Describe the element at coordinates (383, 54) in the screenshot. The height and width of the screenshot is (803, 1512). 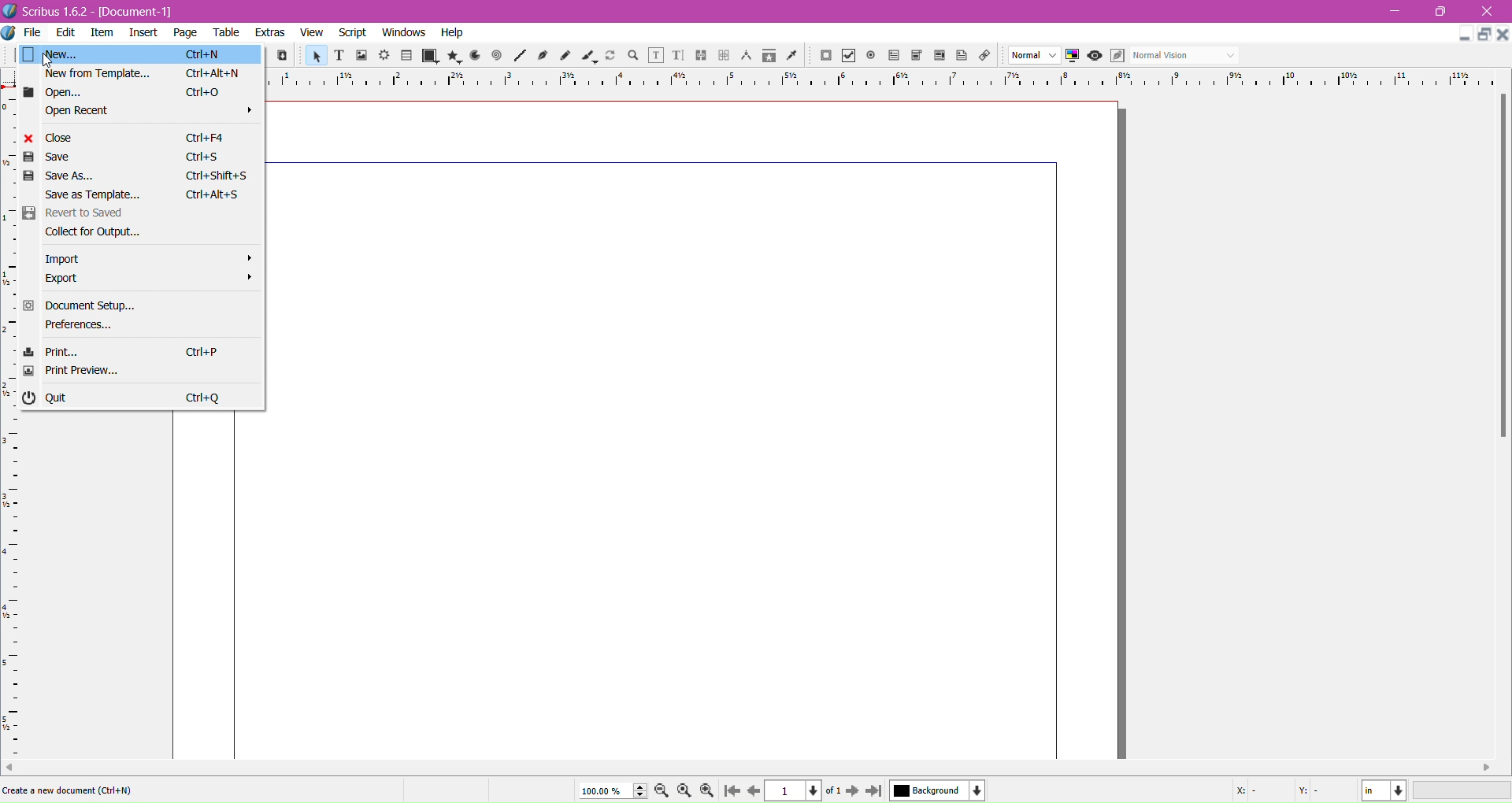
I see `icon` at that location.